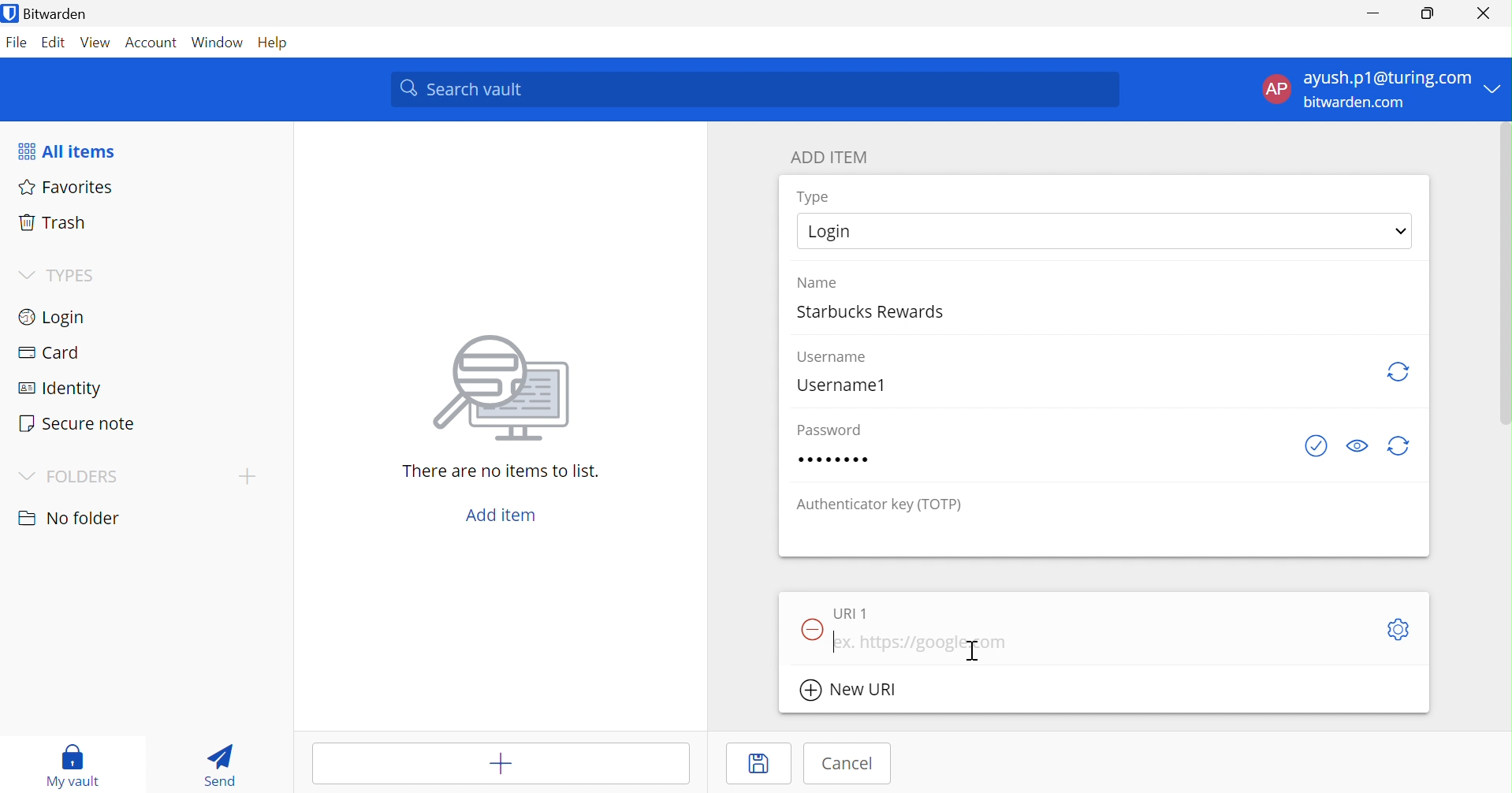  I want to click on Typing cursor, so click(838, 643).